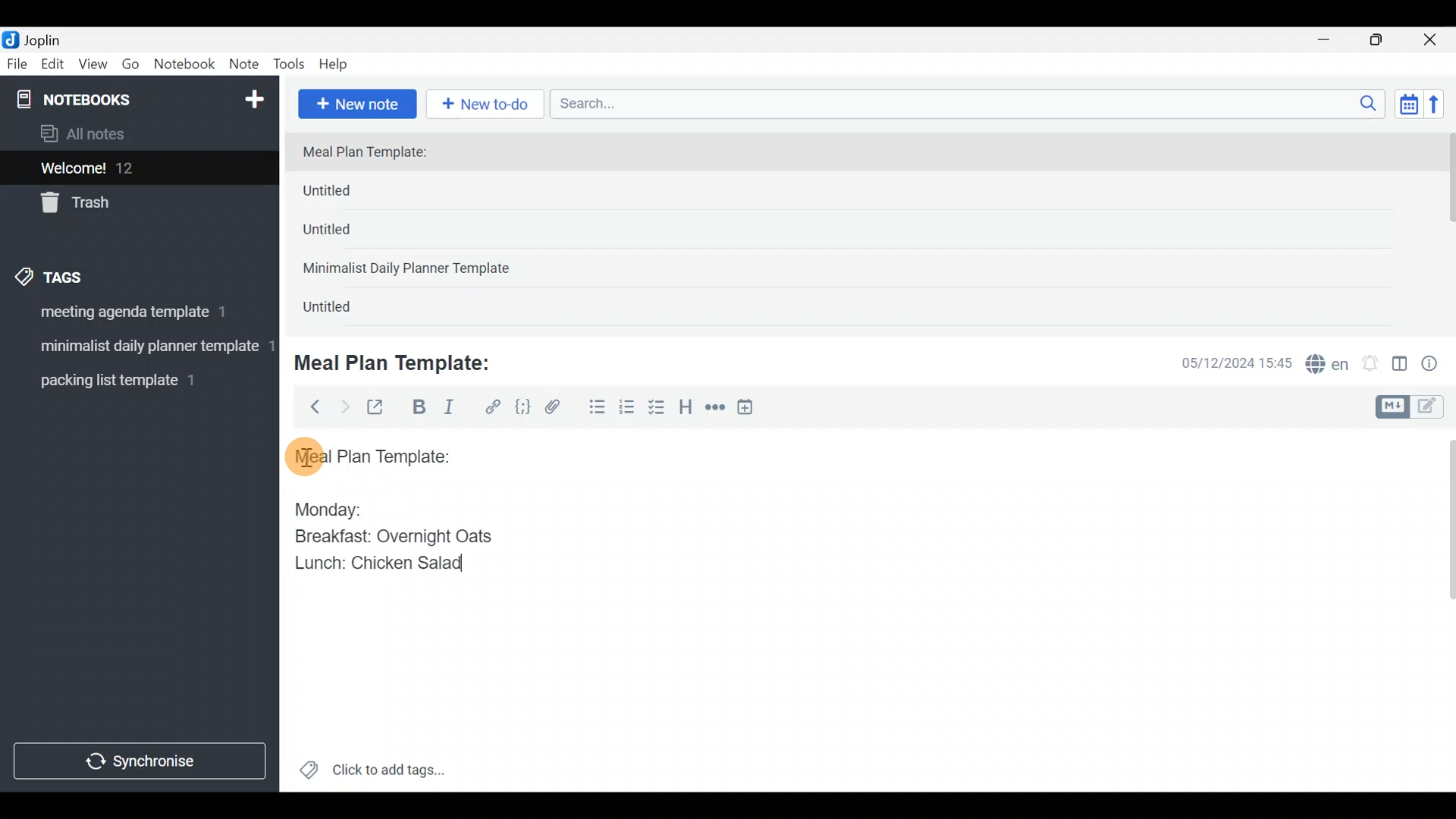 The height and width of the screenshot is (819, 1456). Describe the element at coordinates (971, 102) in the screenshot. I see `Search bar` at that location.